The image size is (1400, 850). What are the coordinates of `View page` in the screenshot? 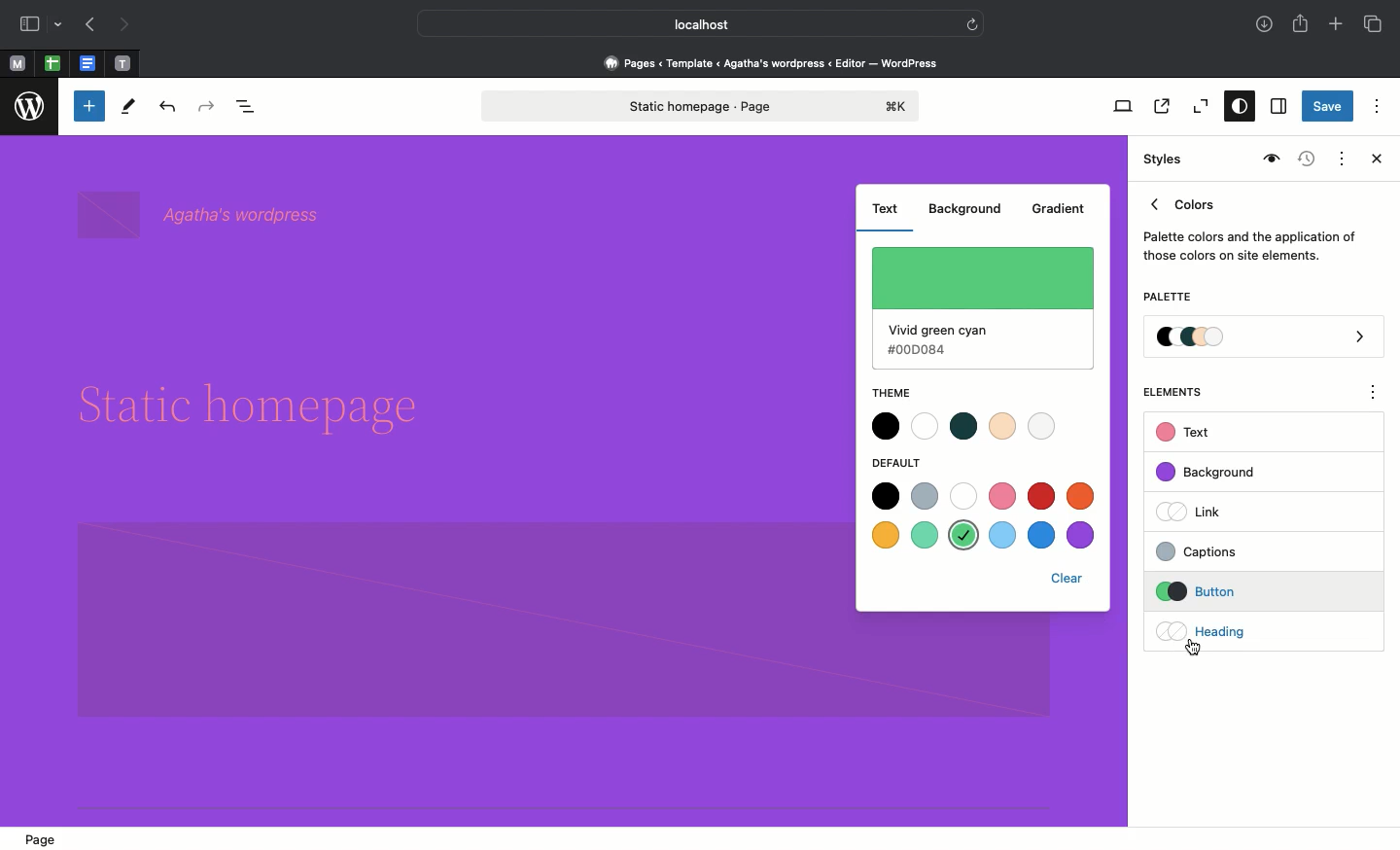 It's located at (1160, 106).